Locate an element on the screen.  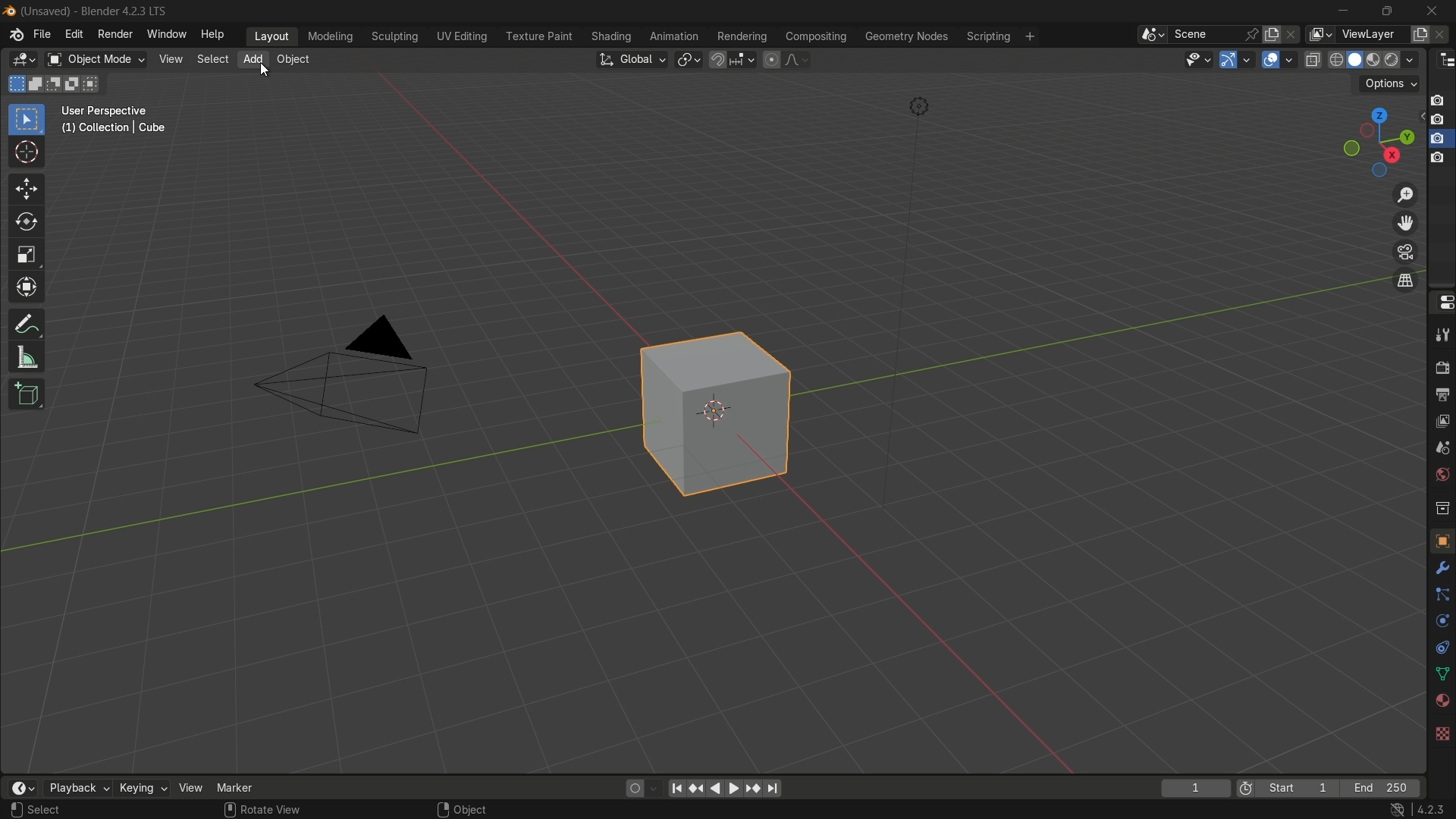
jump to endpoint is located at coordinates (674, 789).